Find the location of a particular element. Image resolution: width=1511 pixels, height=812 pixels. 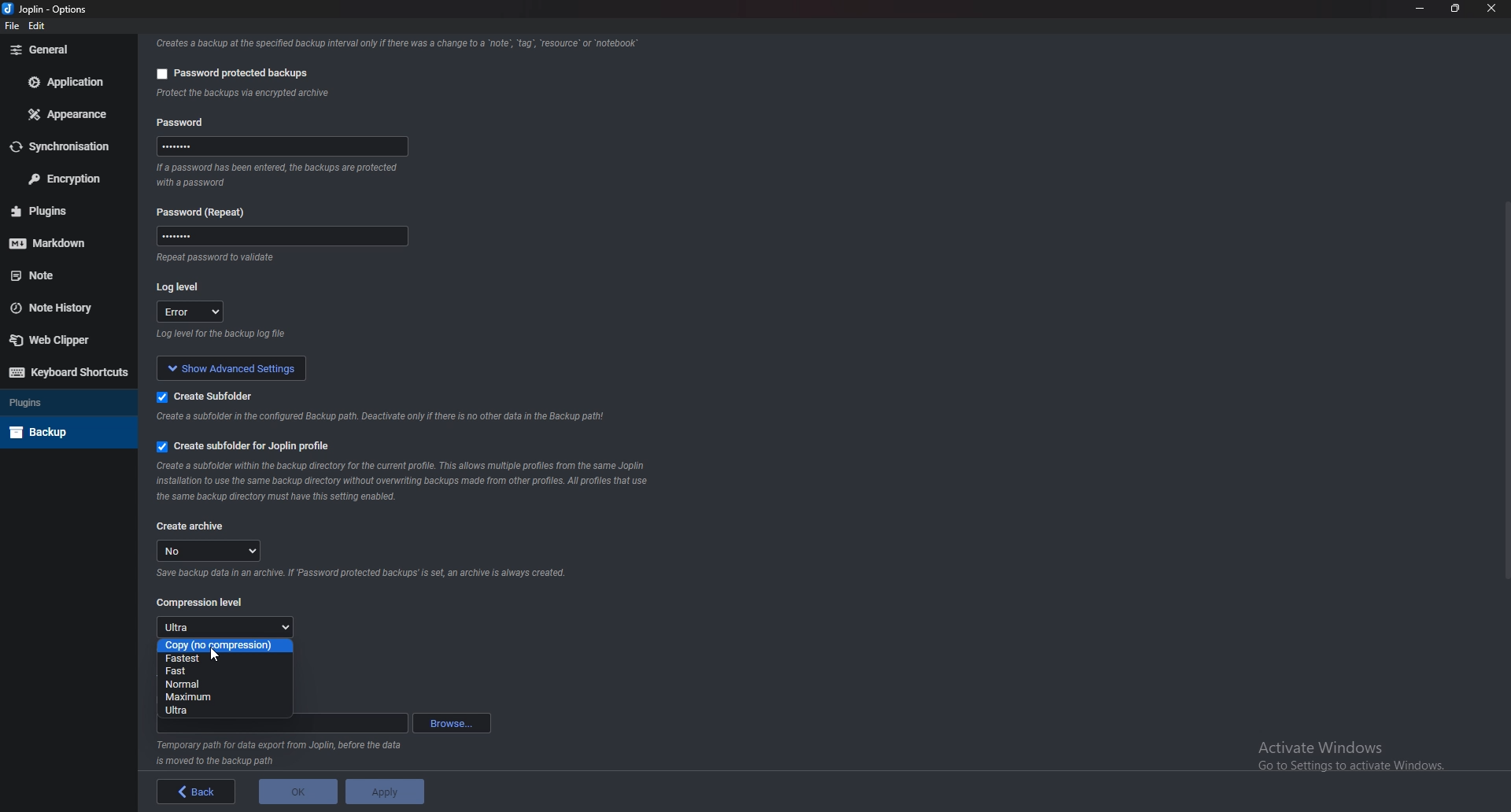

info is located at coordinates (249, 259).